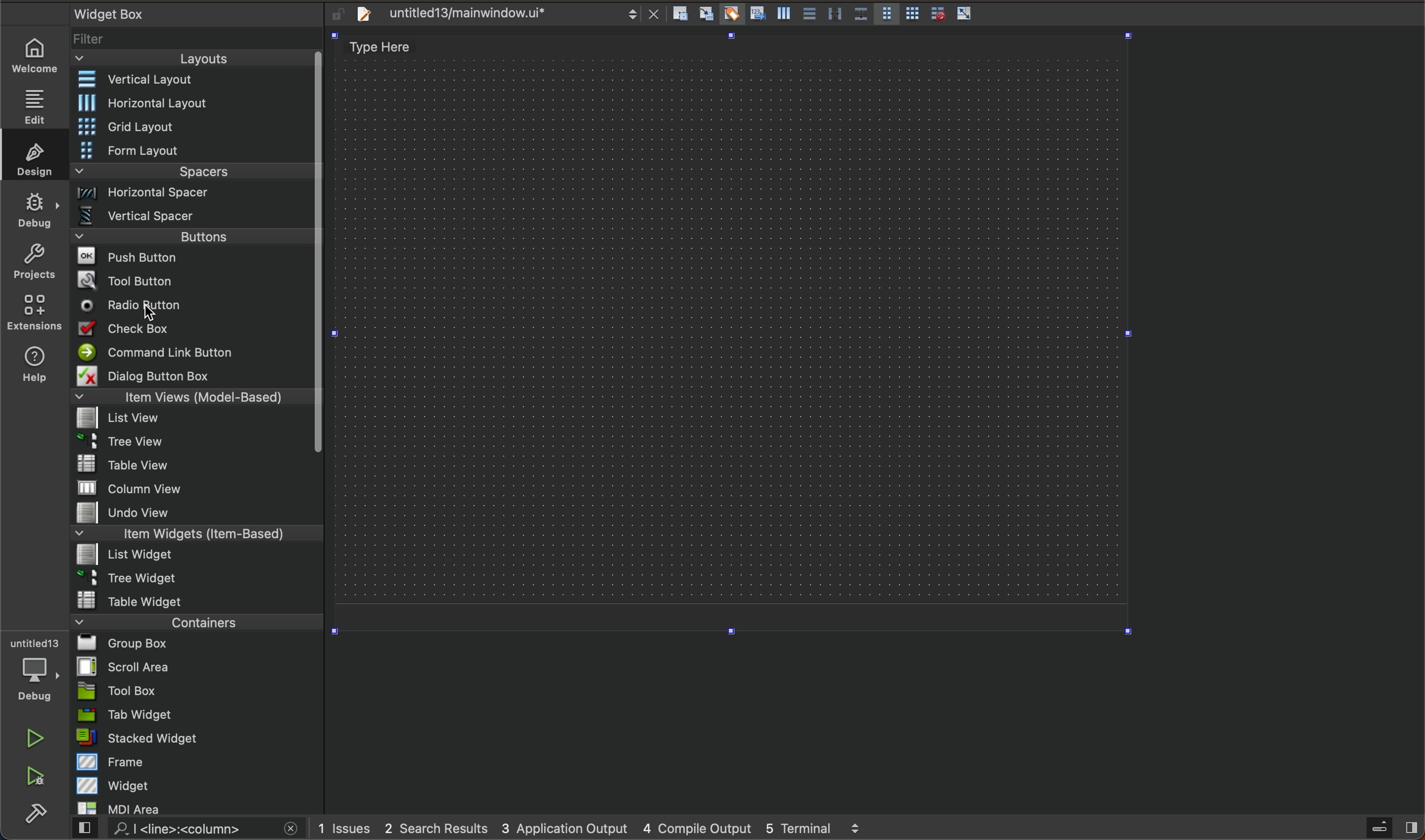  What do you see at coordinates (197, 691) in the screenshot?
I see `tool box` at bounding box center [197, 691].